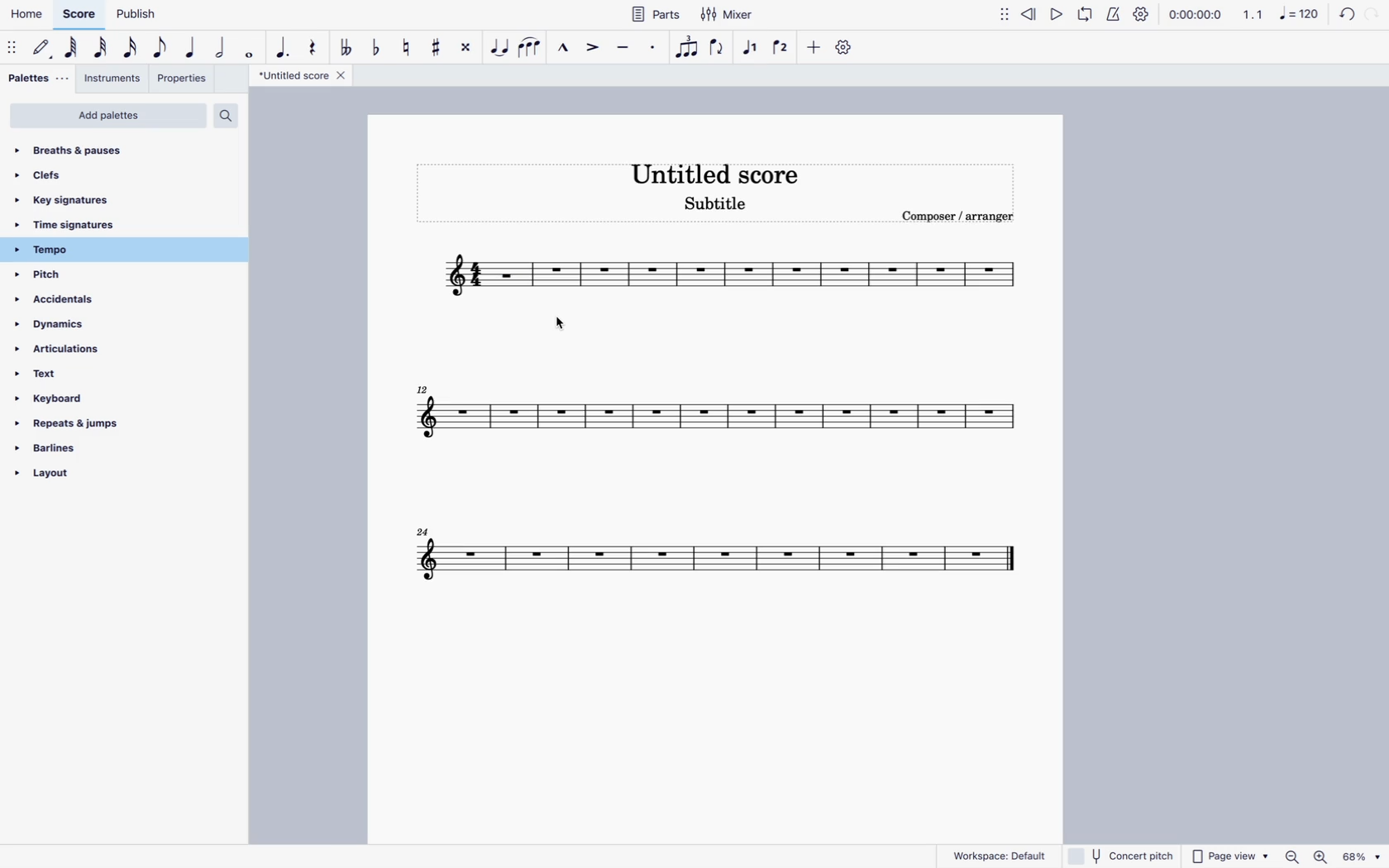 The width and height of the screenshot is (1389, 868). I want to click on repeats & jumps, so click(81, 425).